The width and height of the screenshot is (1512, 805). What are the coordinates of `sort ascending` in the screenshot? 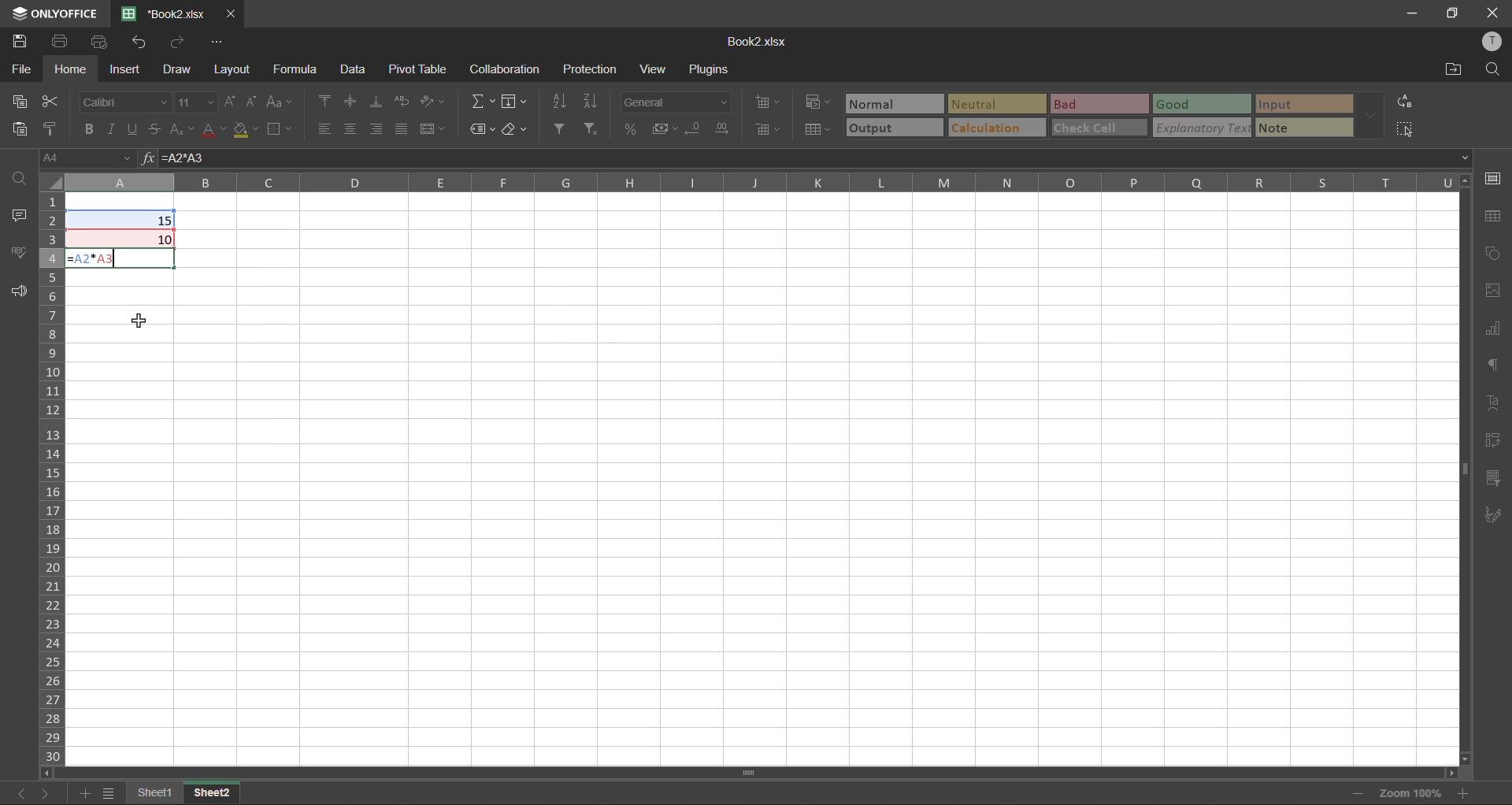 It's located at (557, 102).